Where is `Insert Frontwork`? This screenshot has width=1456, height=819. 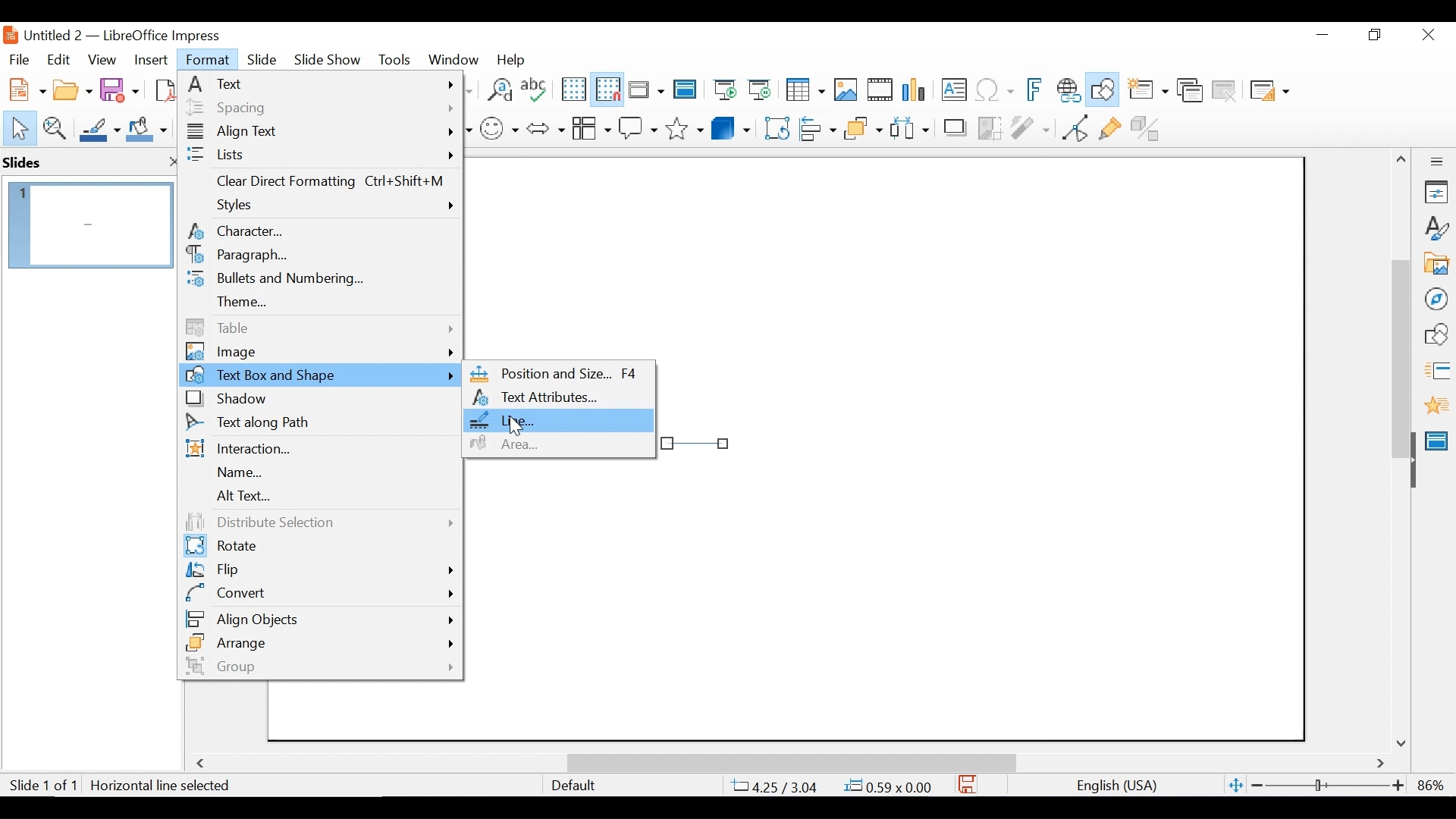 Insert Frontwork is located at coordinates (1036, 90).